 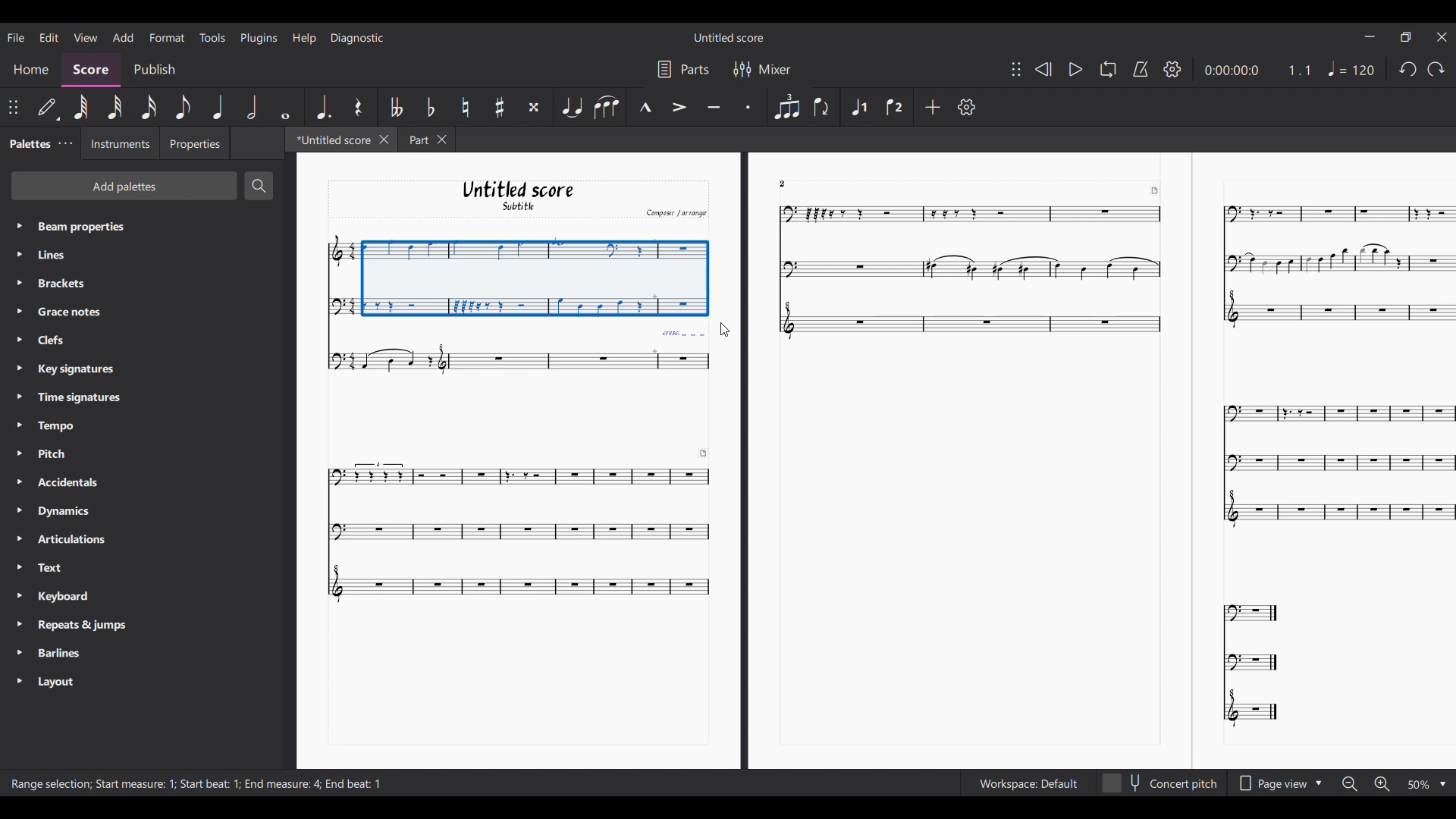 What do you see at coordinates (1337, 511) in the screenshot?
I see `` at bounding box center [1337, 511].